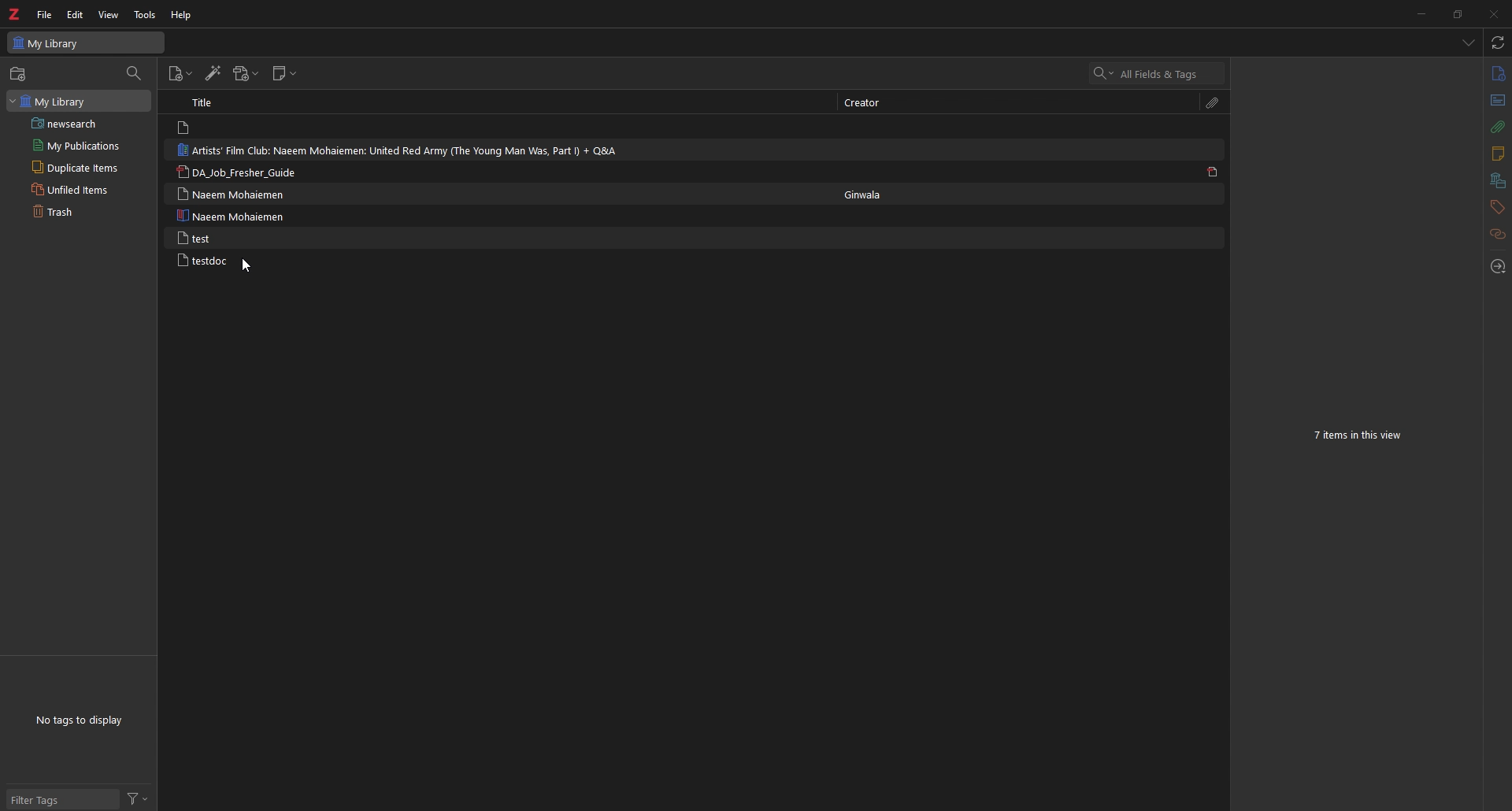 The height and width of the screenshot is (811, 1512). What do you see at coordinates (77, 212) in the screenshot?
I see `Trash` at bounding box center [77, 212].